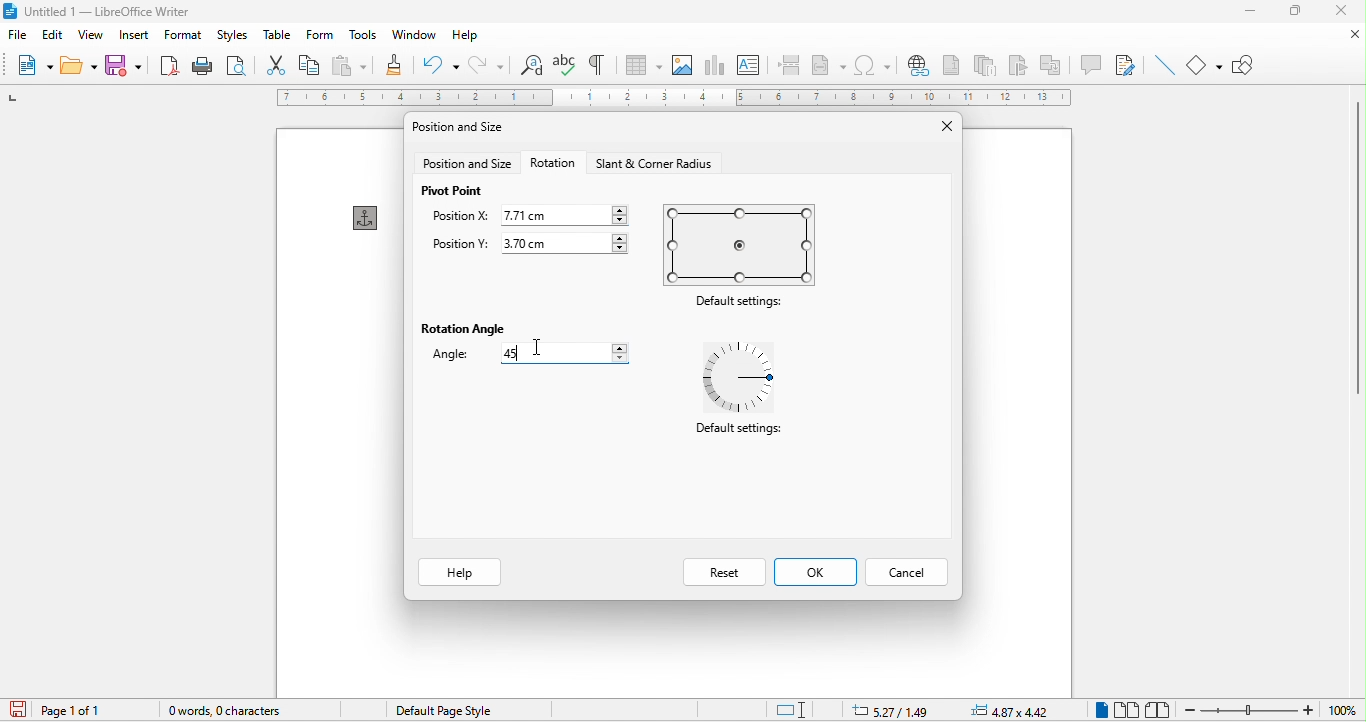  Describe the element at coordinates (467, 163) in the screenshot. I see `position and size` at that location.